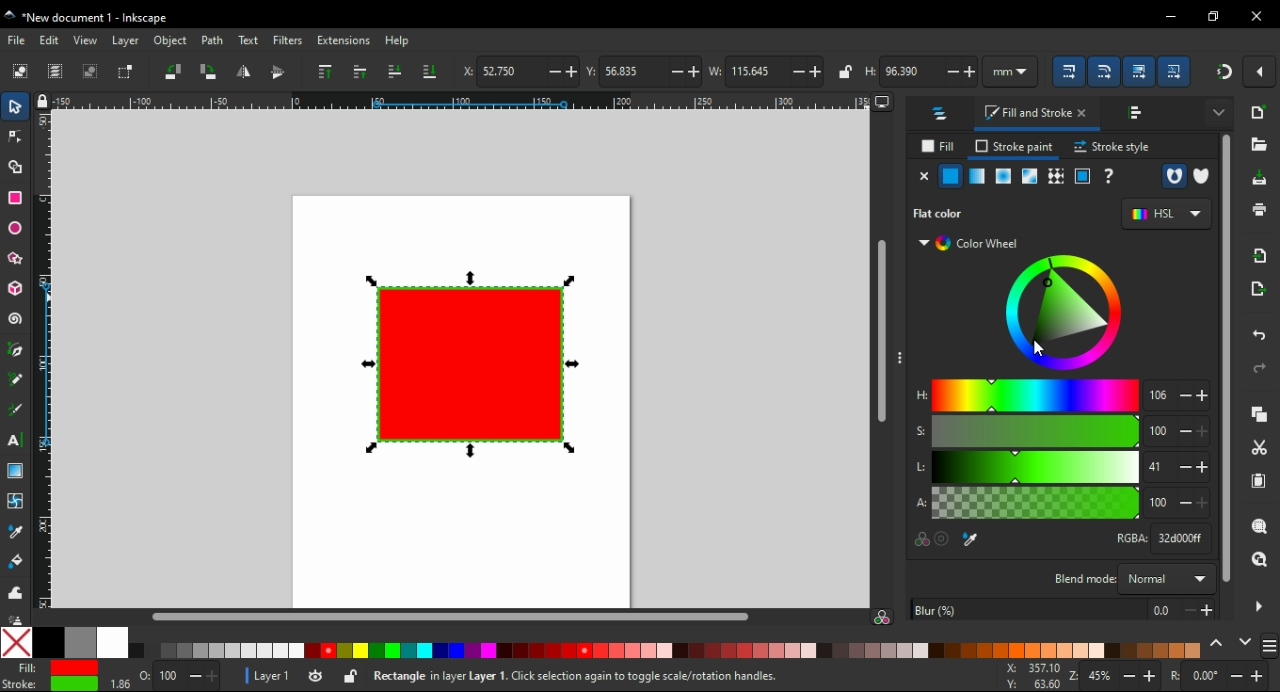  I want to click on fill rule, so click(1200, 177).